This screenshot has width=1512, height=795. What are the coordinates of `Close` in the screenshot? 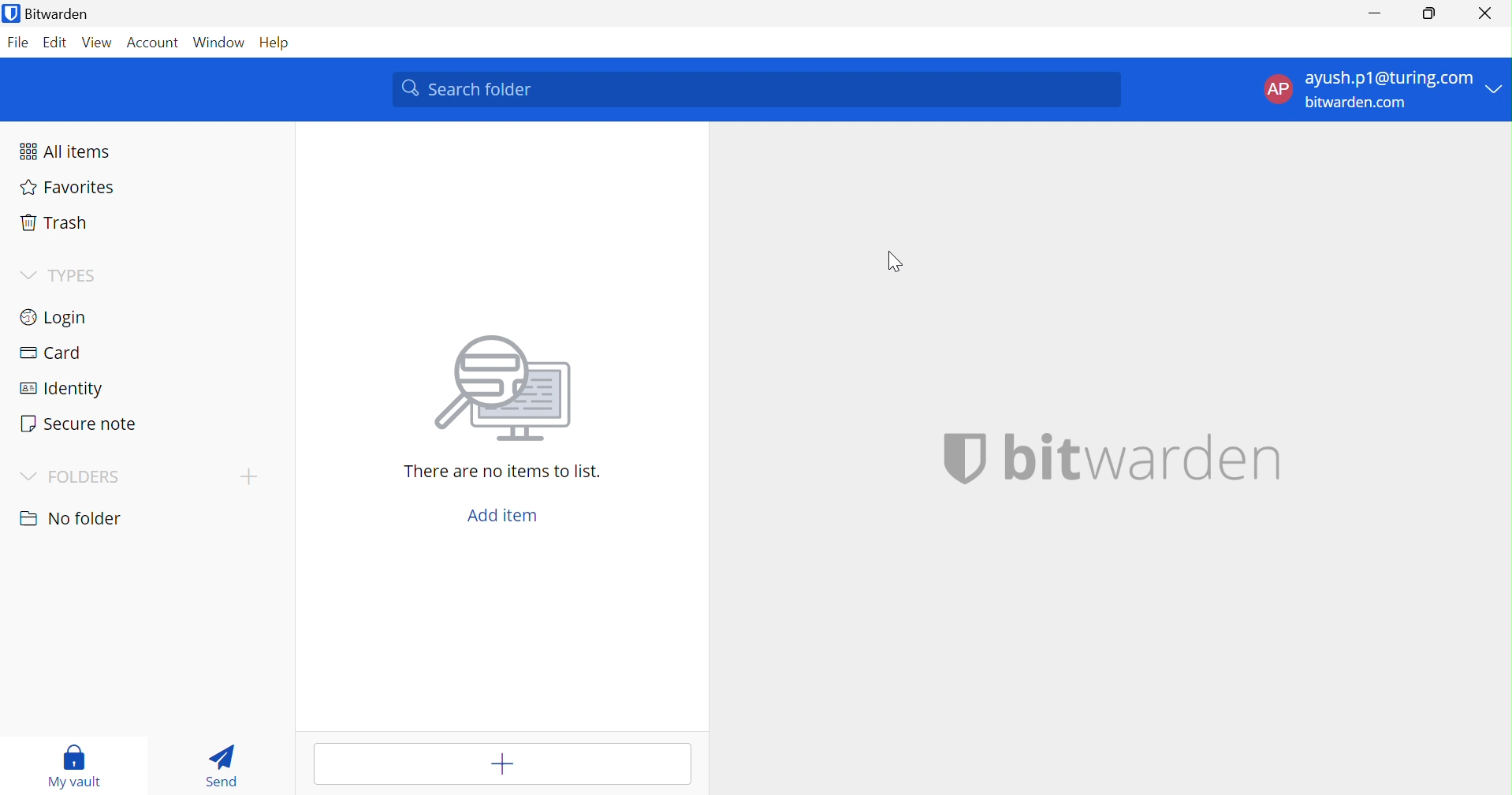 It's located at (1485, 14).